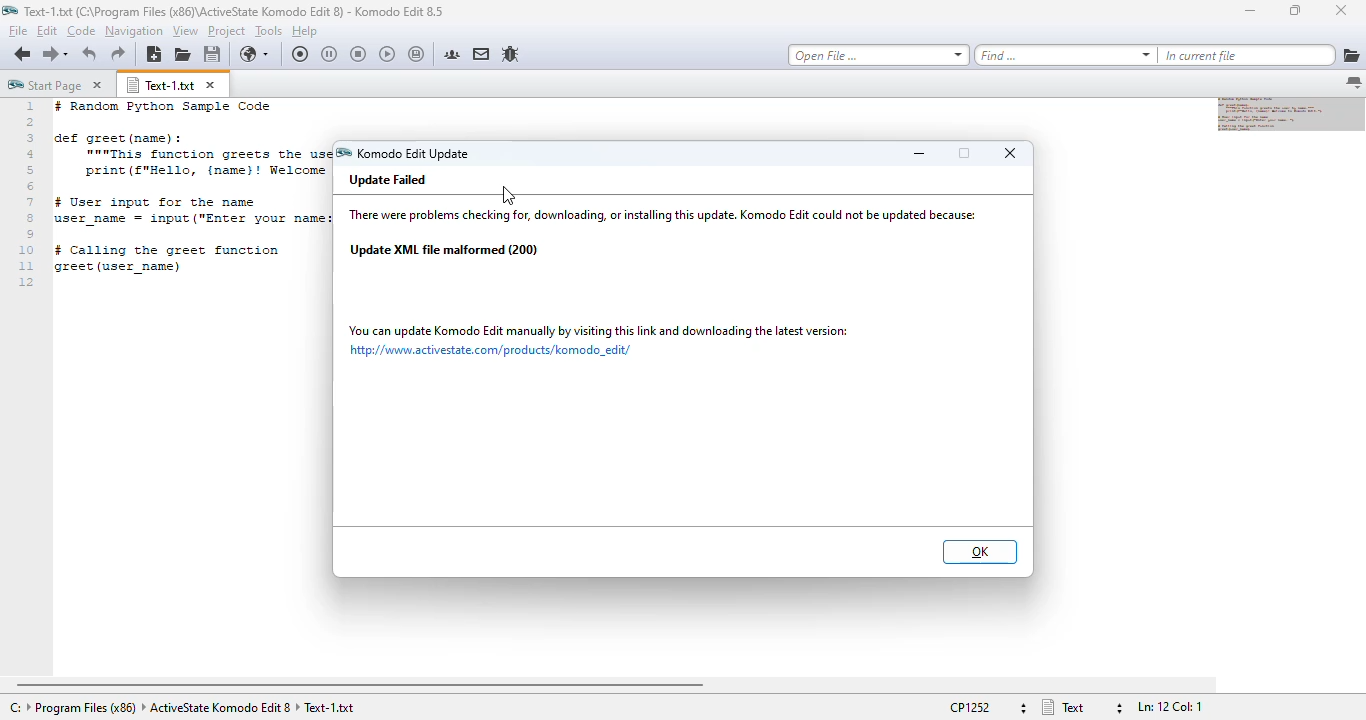 This screenshot has height=720, width=1366. What do you see at coordinates (509, 196) in the screenshot?
I see `cursor` at bounding box center [509, 196].